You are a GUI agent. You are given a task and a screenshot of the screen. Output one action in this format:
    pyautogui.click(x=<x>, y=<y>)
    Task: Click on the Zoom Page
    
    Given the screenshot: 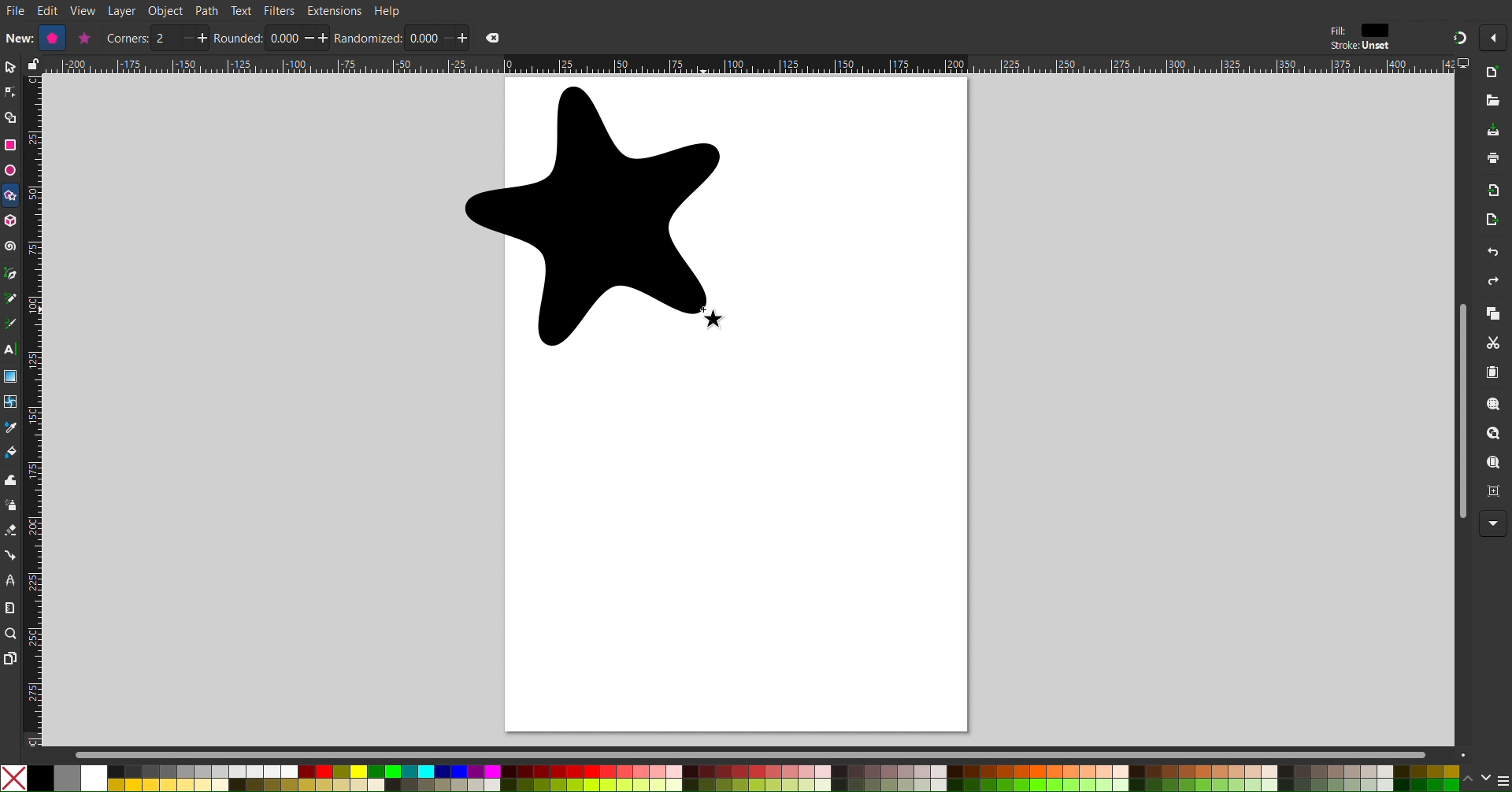 What is the action you would take?
    pyautogui.click(x=1494, y=464)
    